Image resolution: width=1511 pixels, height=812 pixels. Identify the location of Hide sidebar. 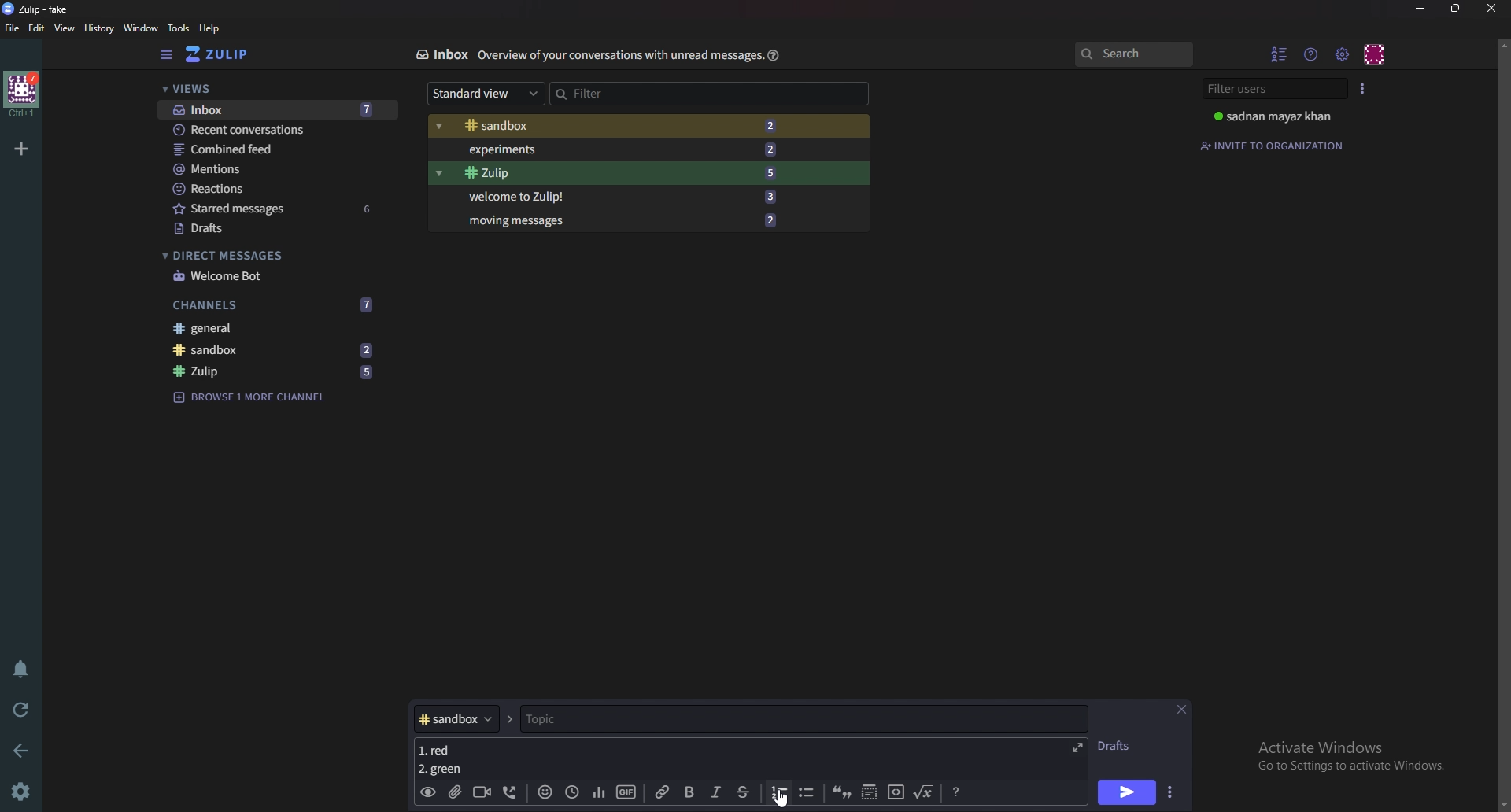
(166, 55).